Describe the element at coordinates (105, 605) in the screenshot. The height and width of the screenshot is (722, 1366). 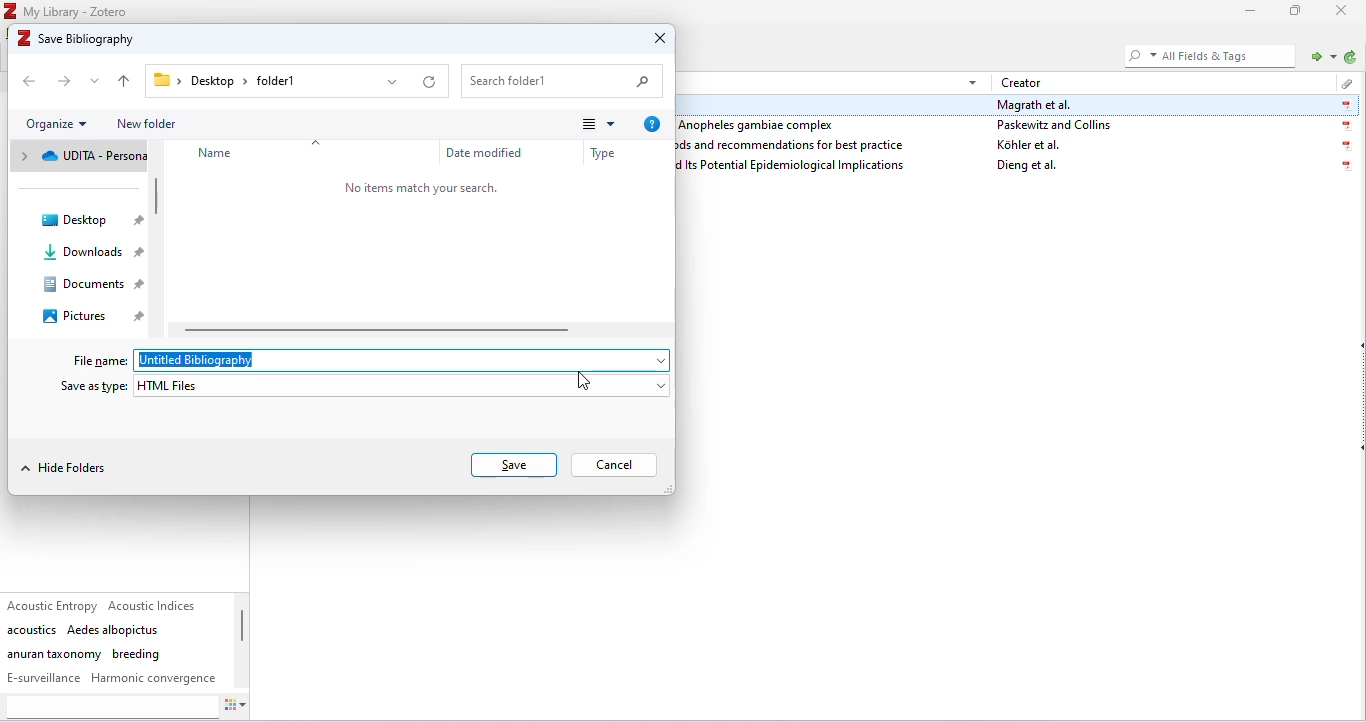
I see `Acoustic Entropy Acoustic Indices` at that location.